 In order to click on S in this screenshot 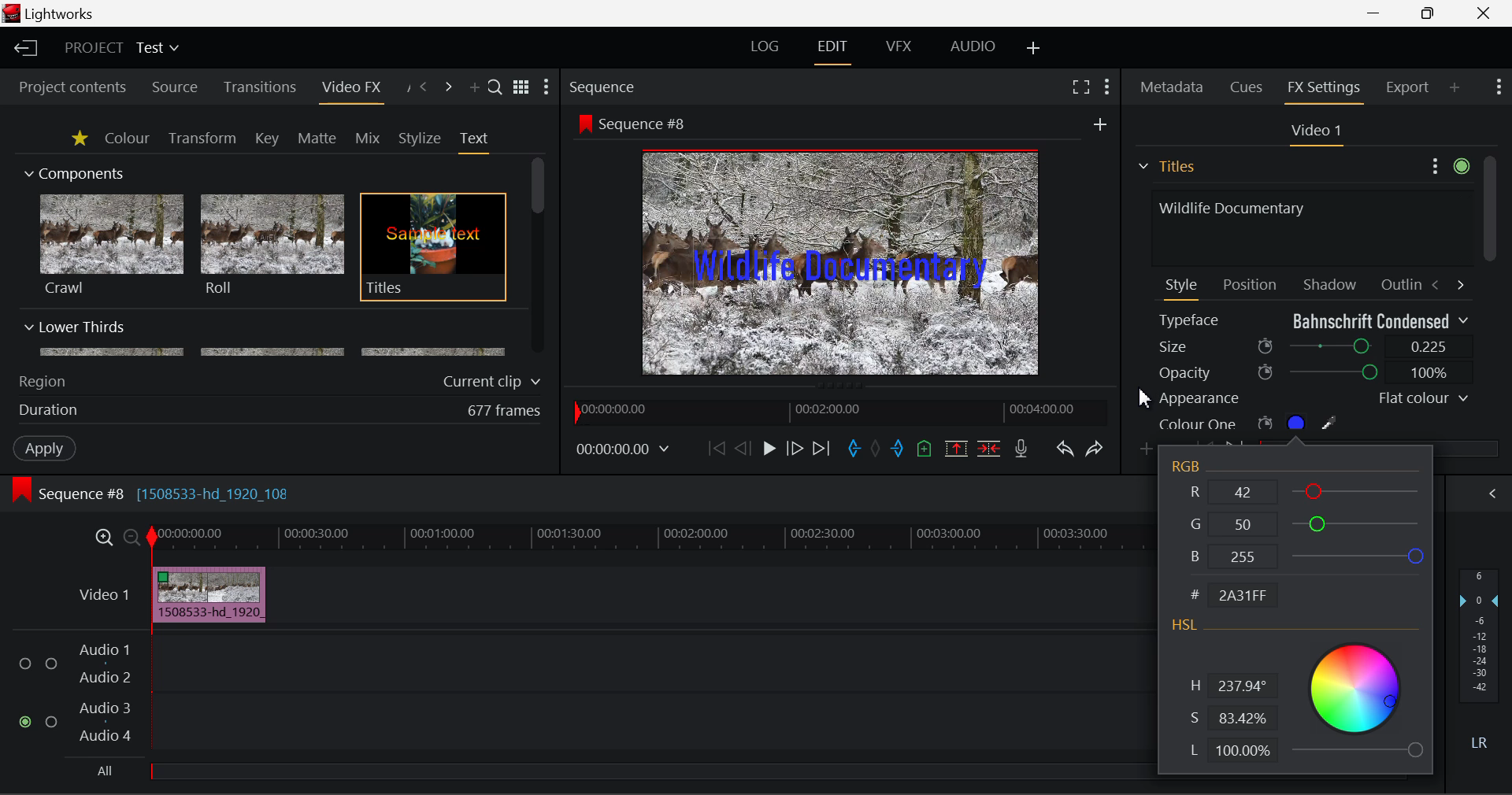, I will do `click(1229, 719)`.